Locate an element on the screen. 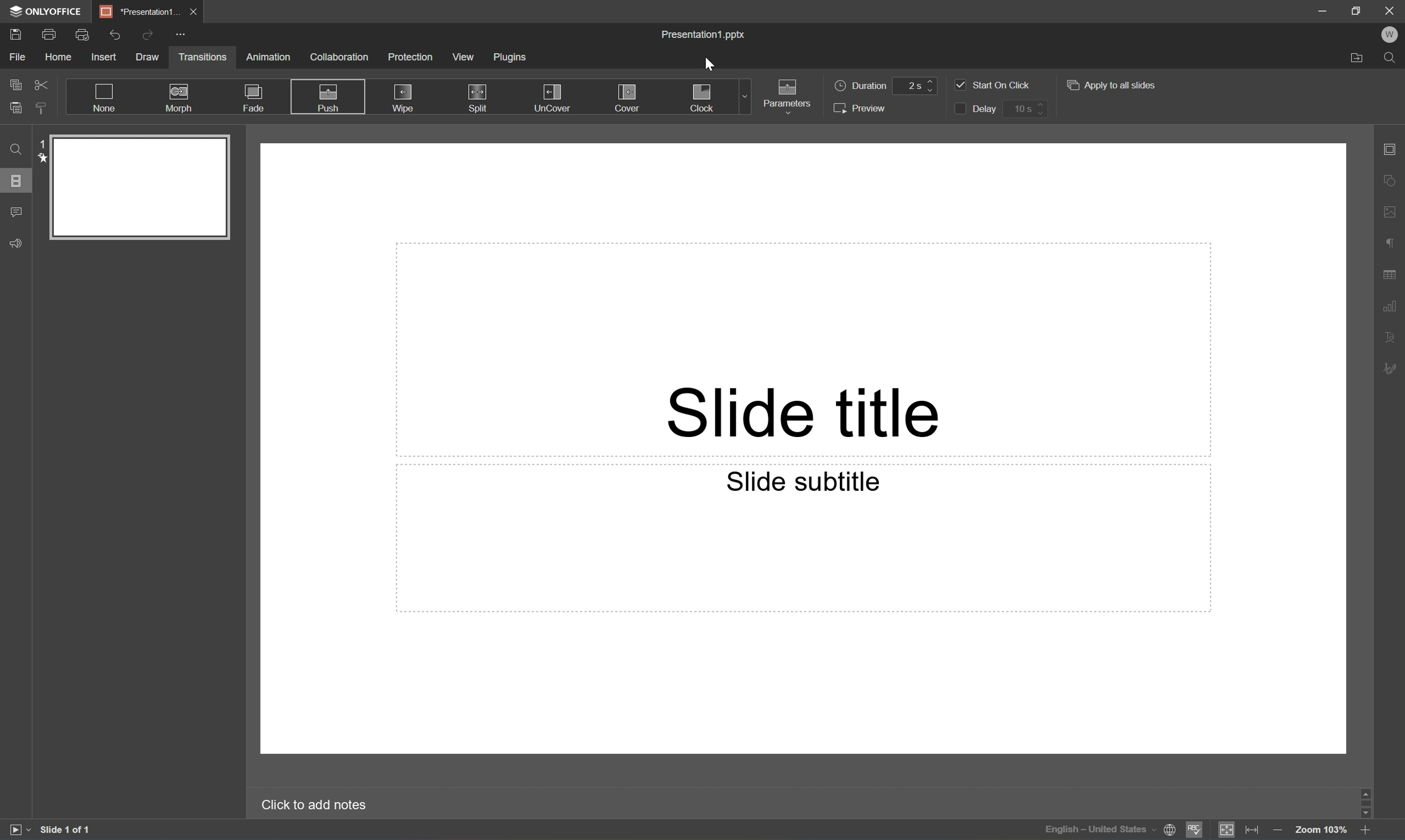 This screenshot has height=840, width=1405. Spell checking is located at coordinates (1194, 830).